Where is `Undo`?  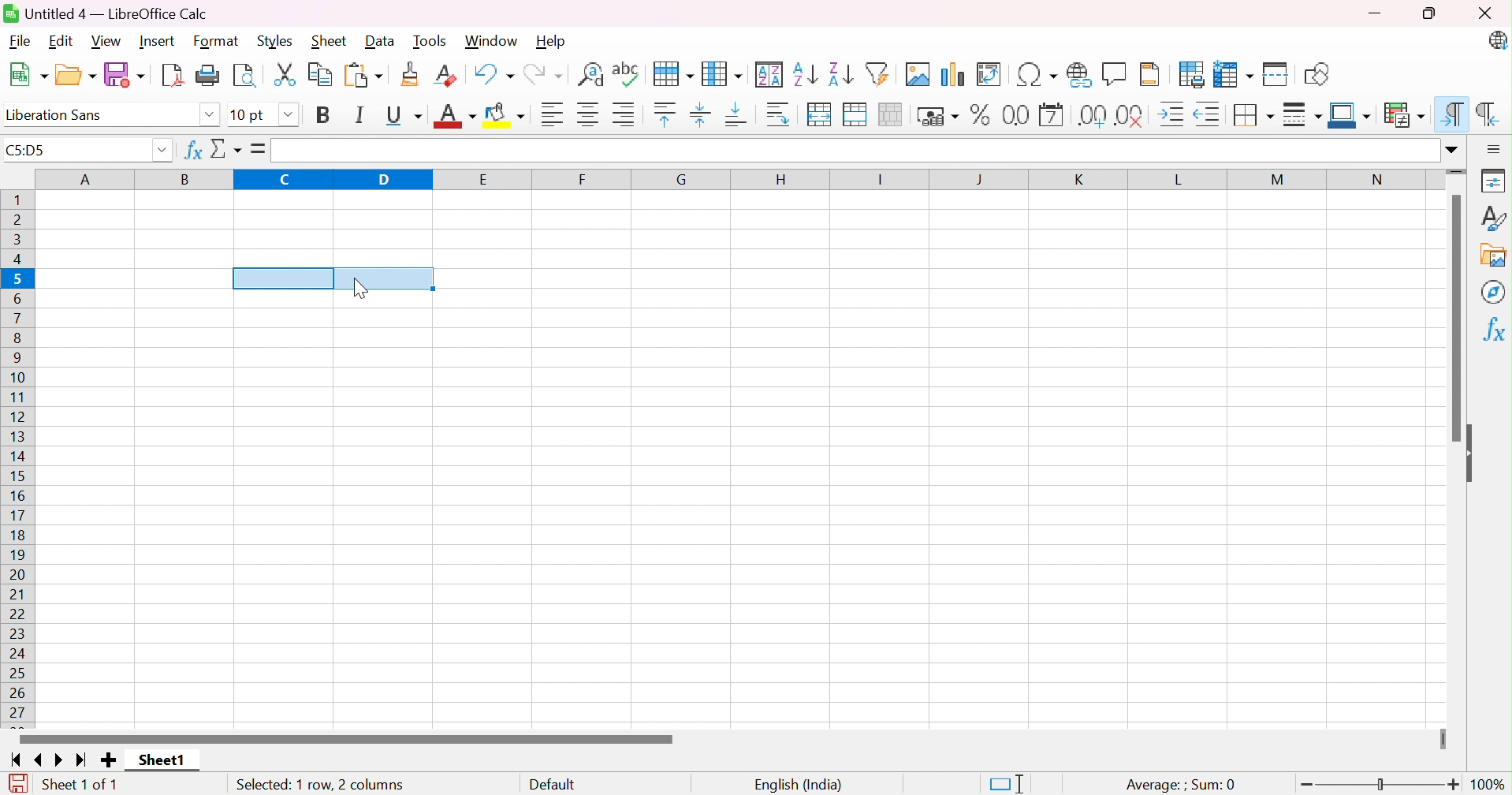 Undo is located at coordinates (493, 73).